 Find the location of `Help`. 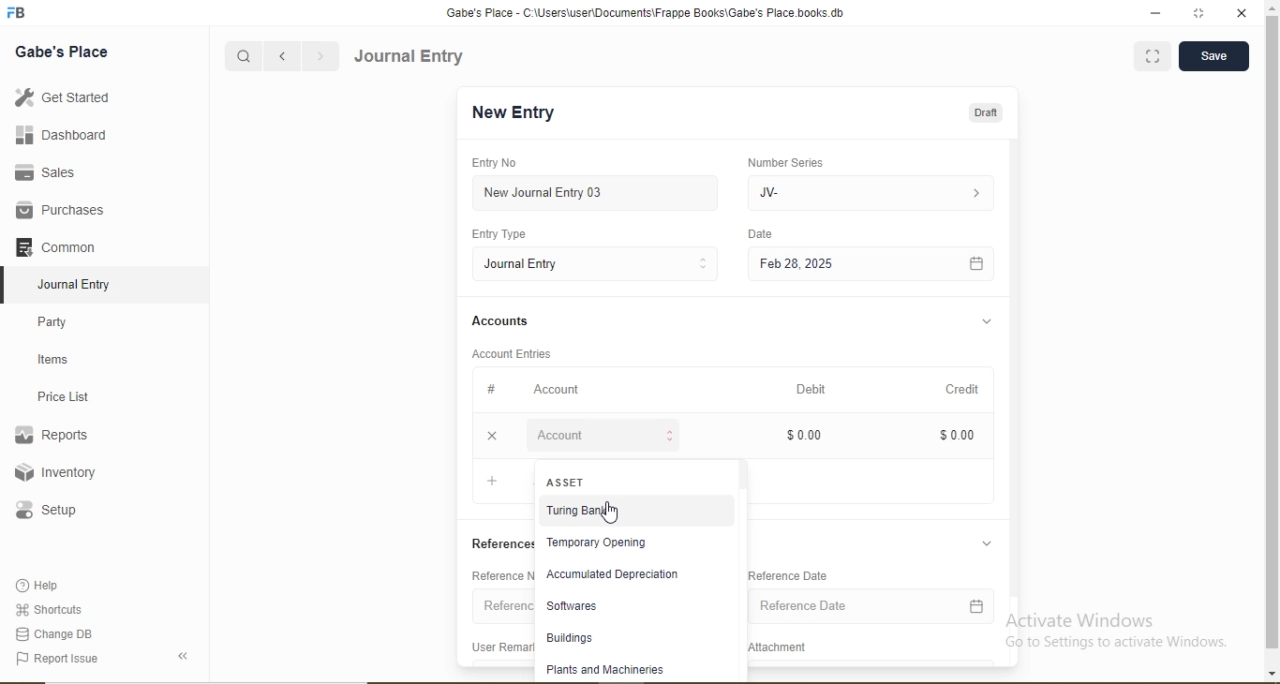

Help is located at coordinates (39, 585).